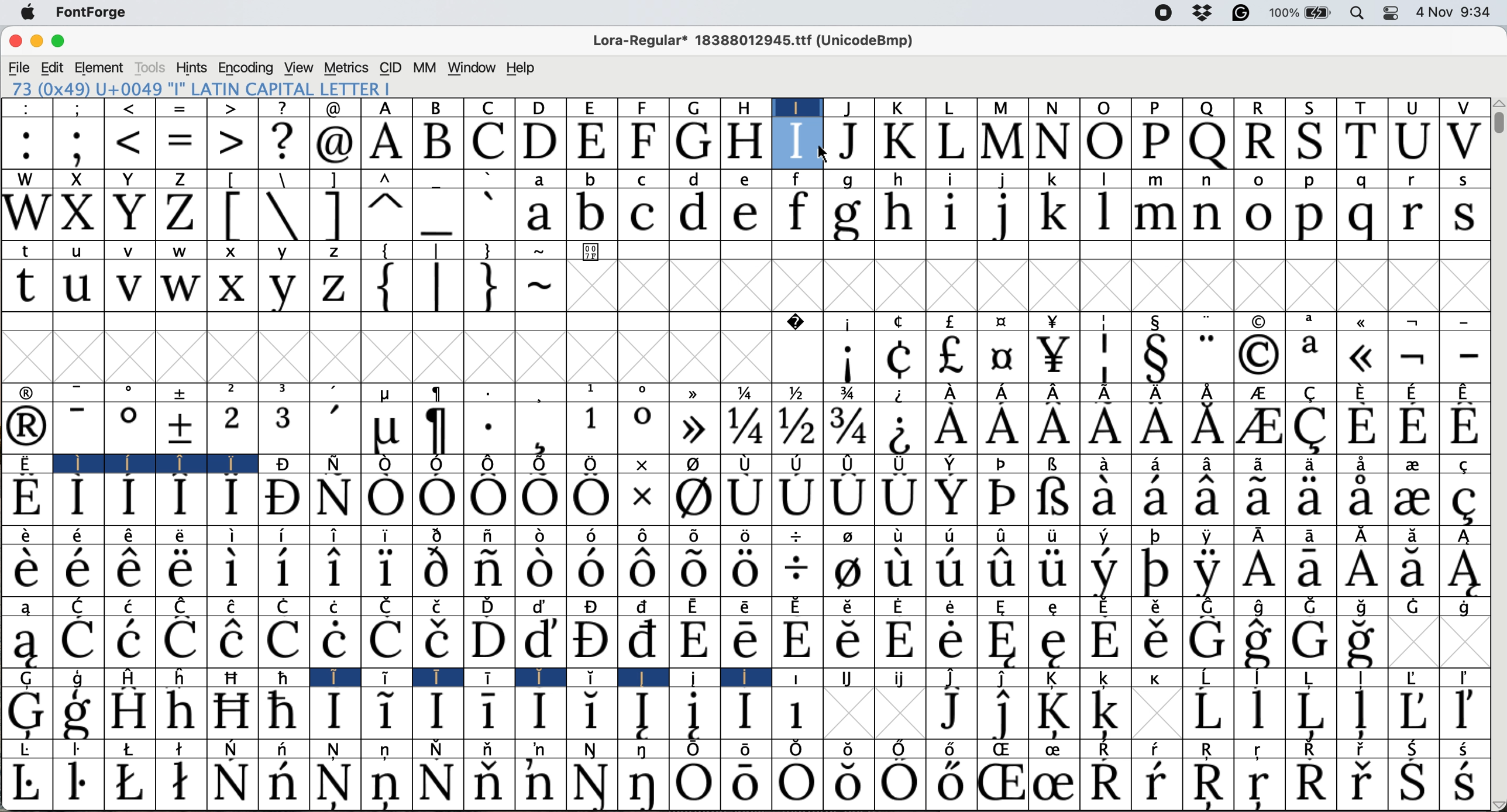 The height and width of the screenshot is (812, 1507). What do you see at coordinates (745, 465) in the screenshot?
I see `symbol` at bounding box center [745, 465].